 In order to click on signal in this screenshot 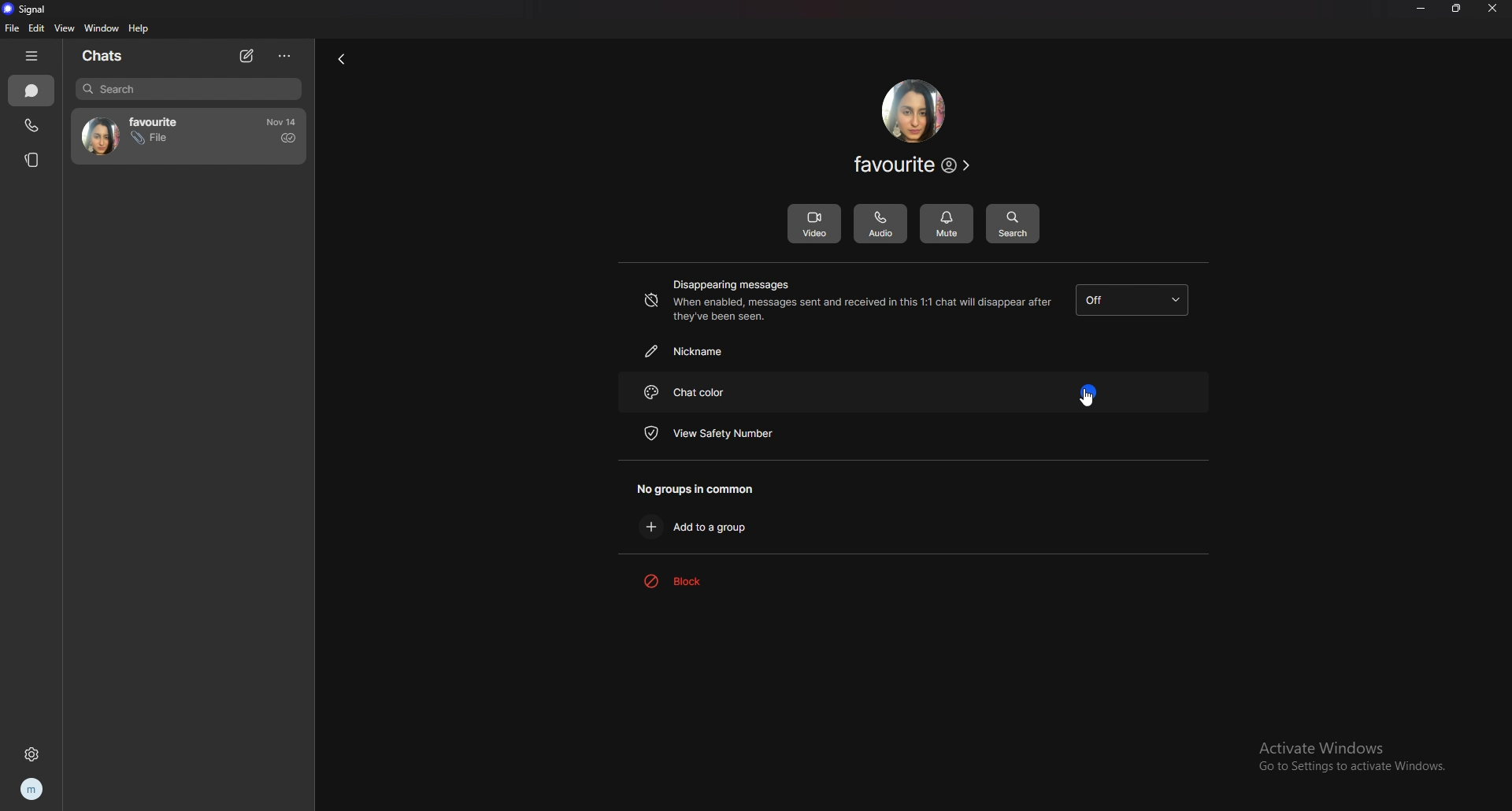, I will do `click(29, 9)`.